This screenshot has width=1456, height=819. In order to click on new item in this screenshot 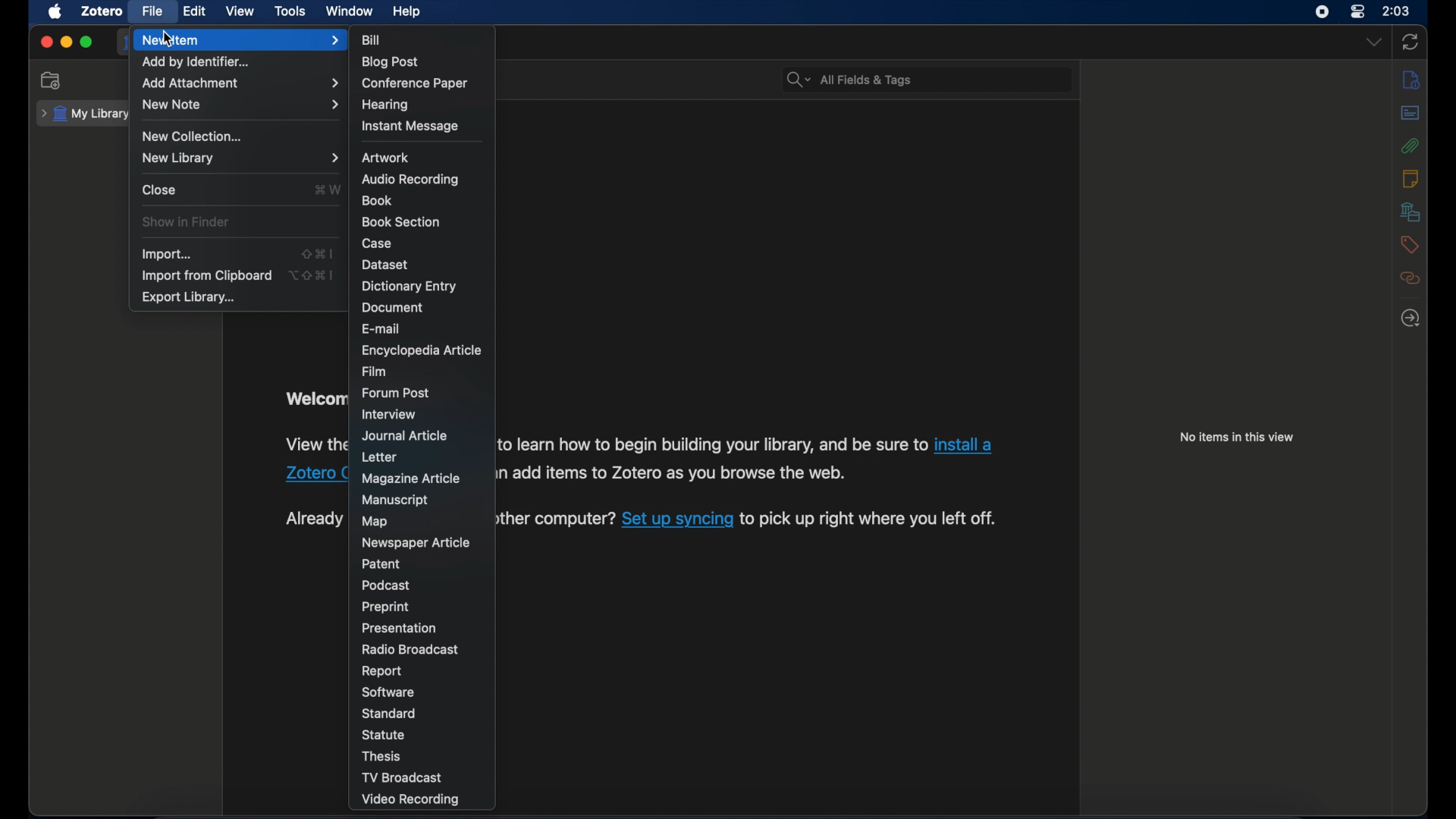, I will do `click(242, 40)`.